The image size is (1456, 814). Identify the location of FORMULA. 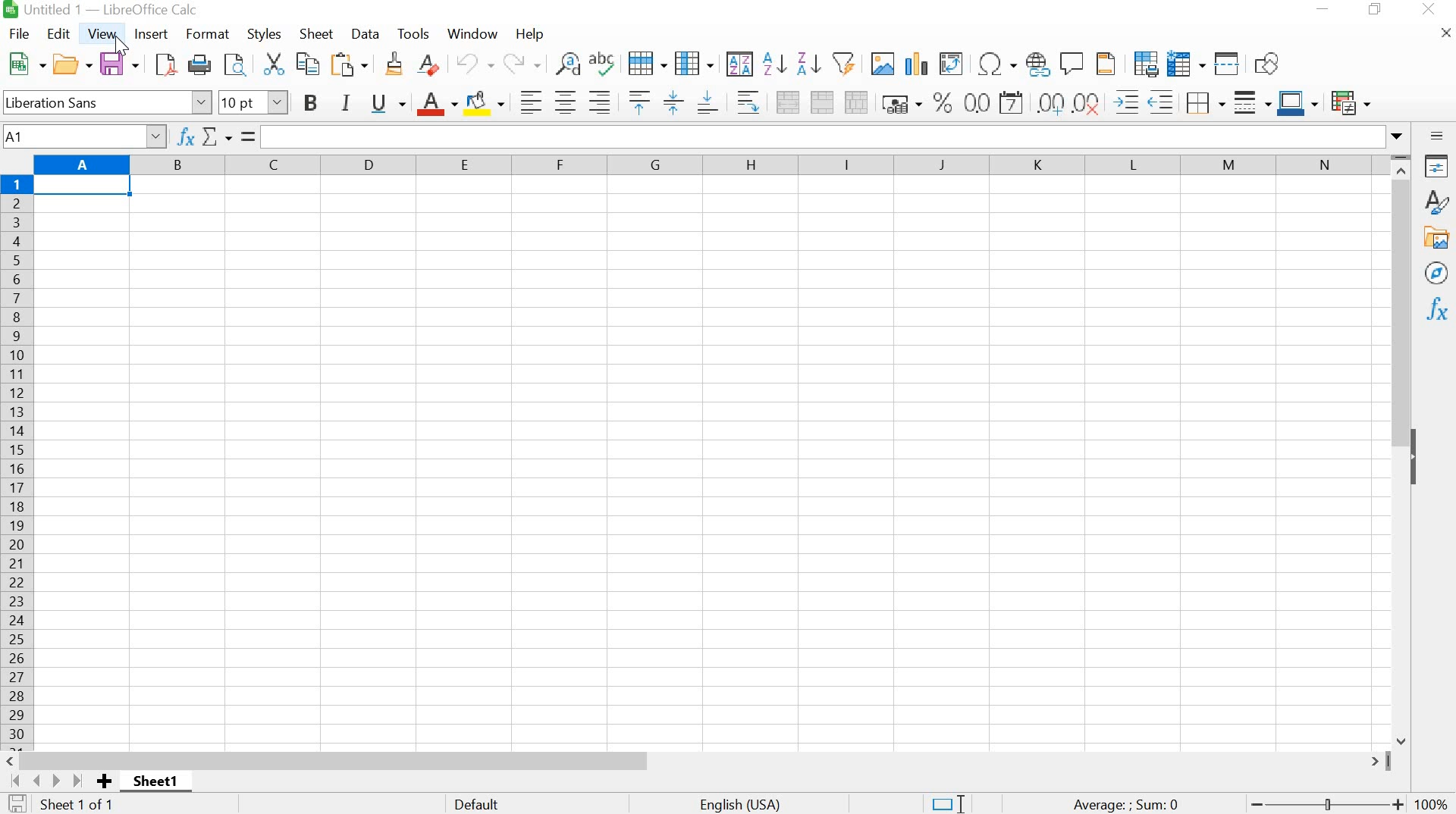
(249, 136).